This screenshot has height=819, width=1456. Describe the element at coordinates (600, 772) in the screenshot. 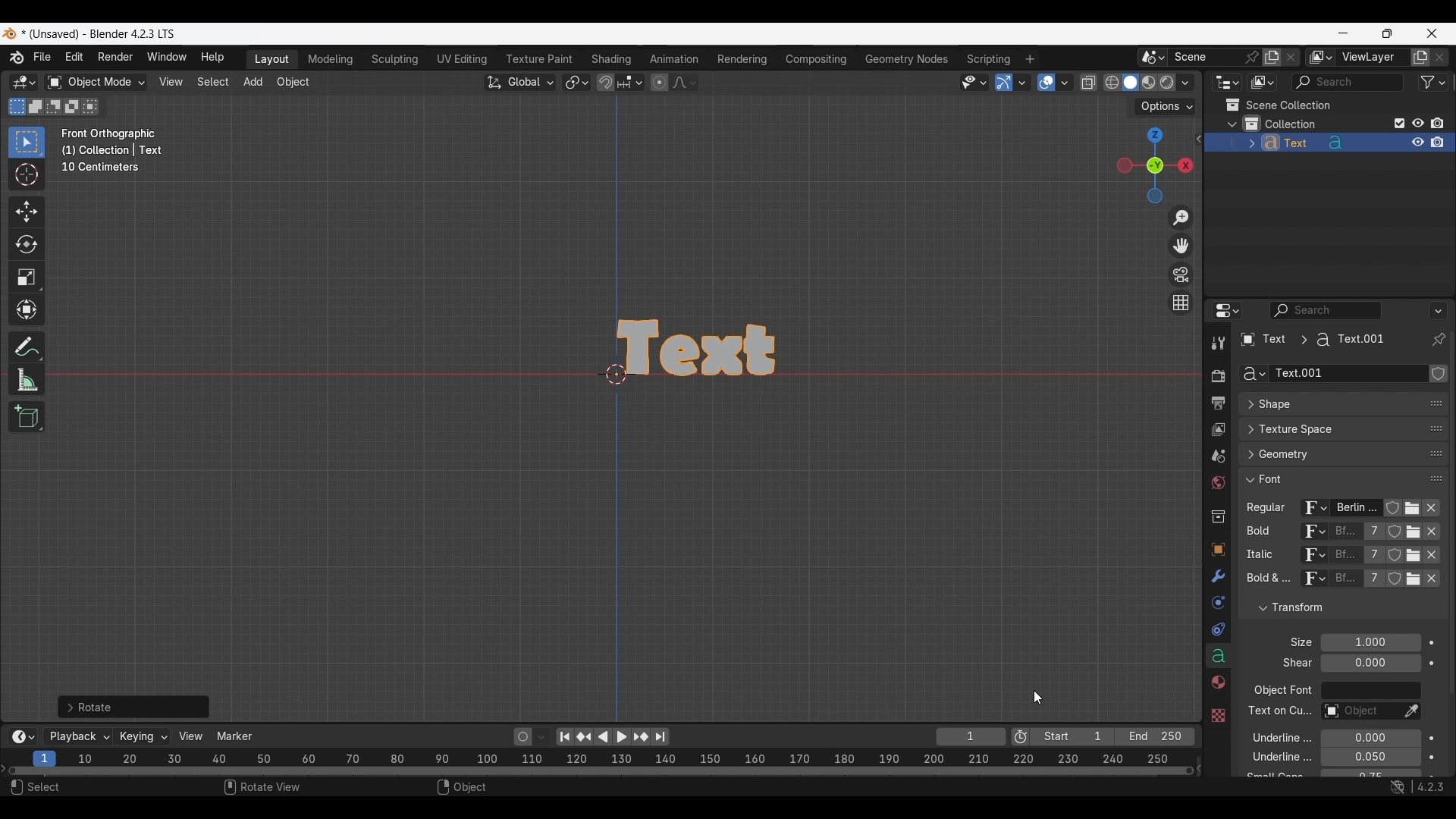

I see `Frames timeline slider` at that location.